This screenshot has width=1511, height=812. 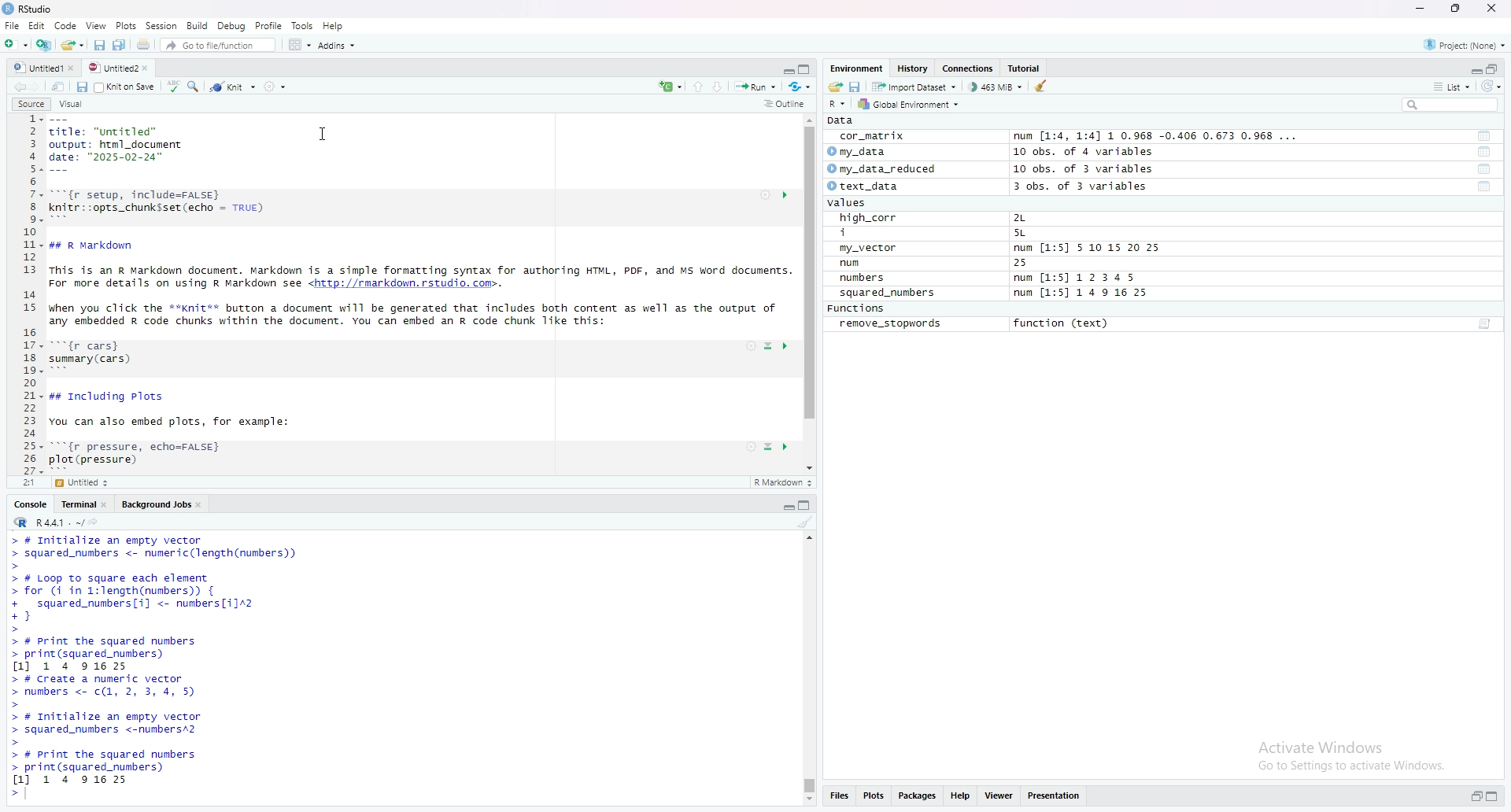 What do you see at coordinates (907, 105) in the screenshot?
I see `Global Environments` at bounding box center [907, 105].